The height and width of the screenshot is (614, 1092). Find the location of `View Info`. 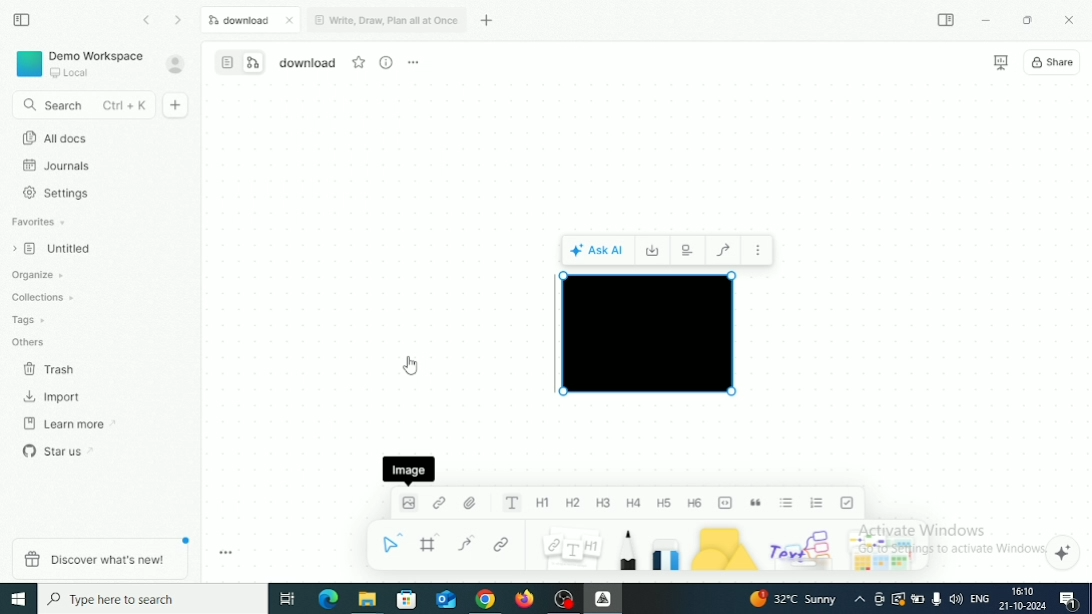

View Info is located at coordinates (387, 62).